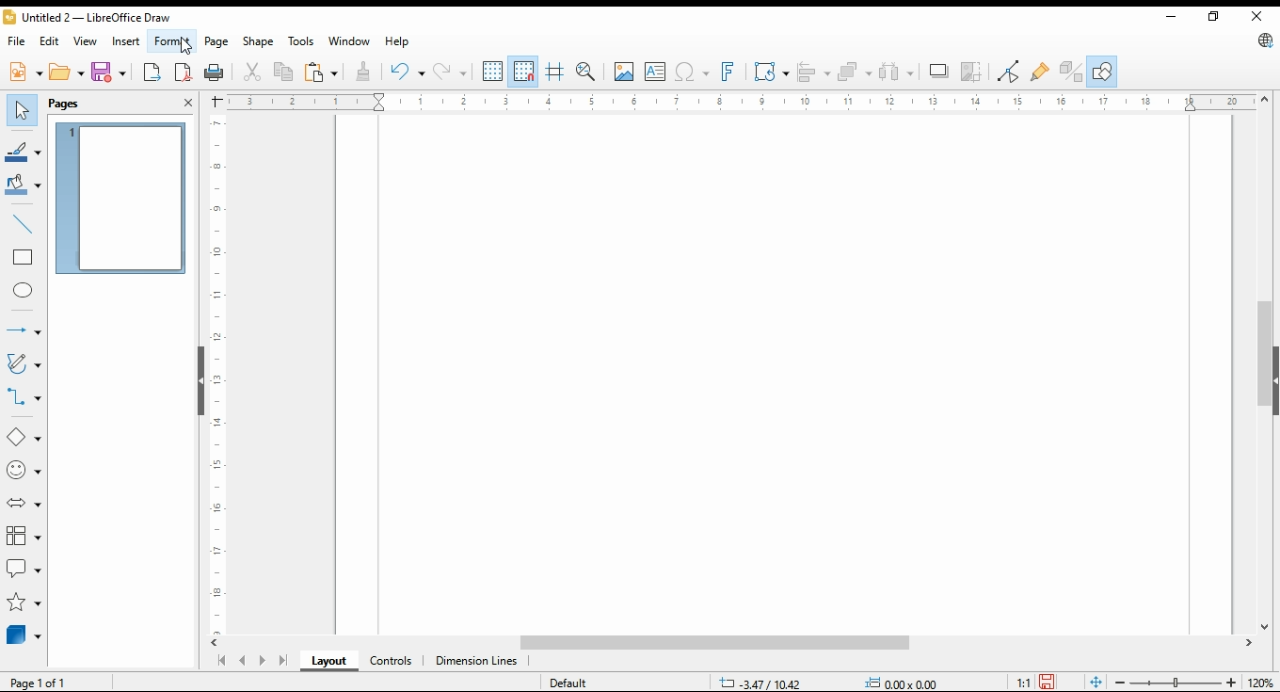 Image resolution: width=1280 pixels, height=692 pixels. What do you see at coordinates (243, 662) in the screenshot?
I see `previous page` at bounding box center [243, 662].